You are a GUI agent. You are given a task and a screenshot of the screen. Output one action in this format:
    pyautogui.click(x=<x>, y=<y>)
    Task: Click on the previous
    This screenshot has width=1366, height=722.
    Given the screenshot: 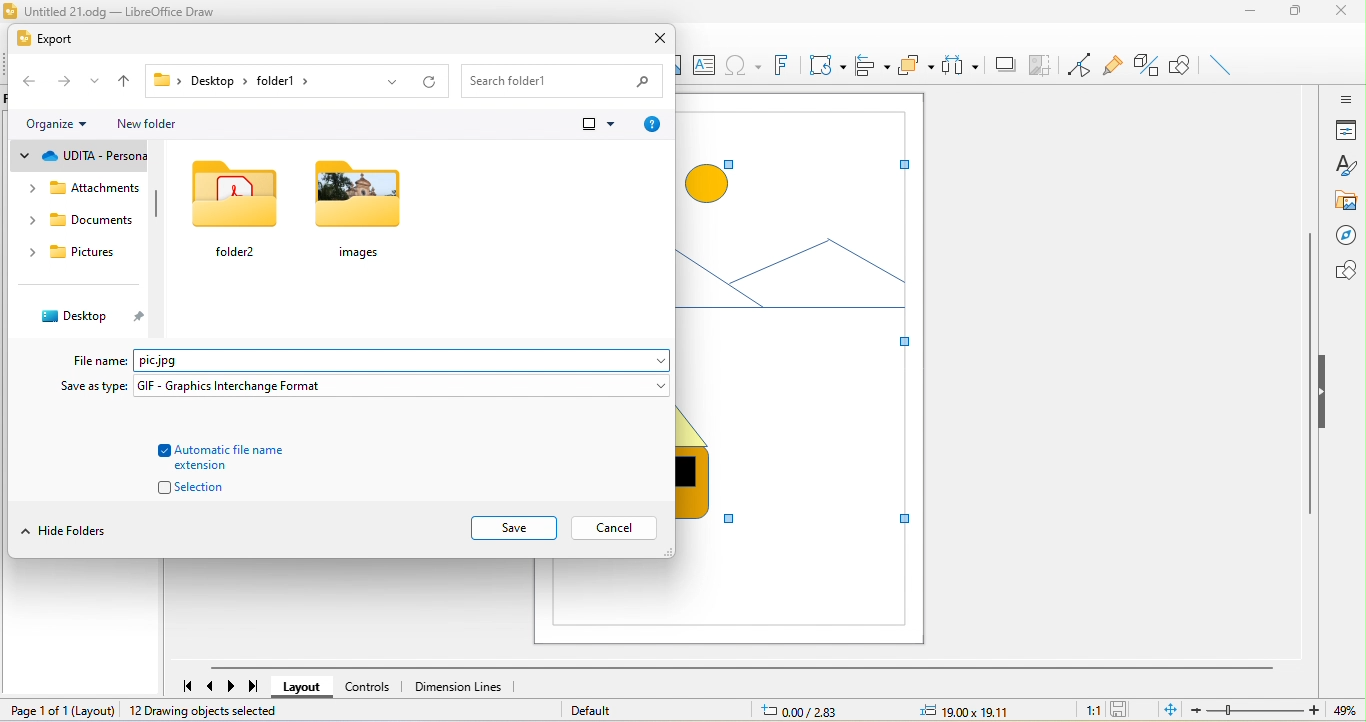 What is the action you would take?
    pyautogui.click(x=213, y=686)
    